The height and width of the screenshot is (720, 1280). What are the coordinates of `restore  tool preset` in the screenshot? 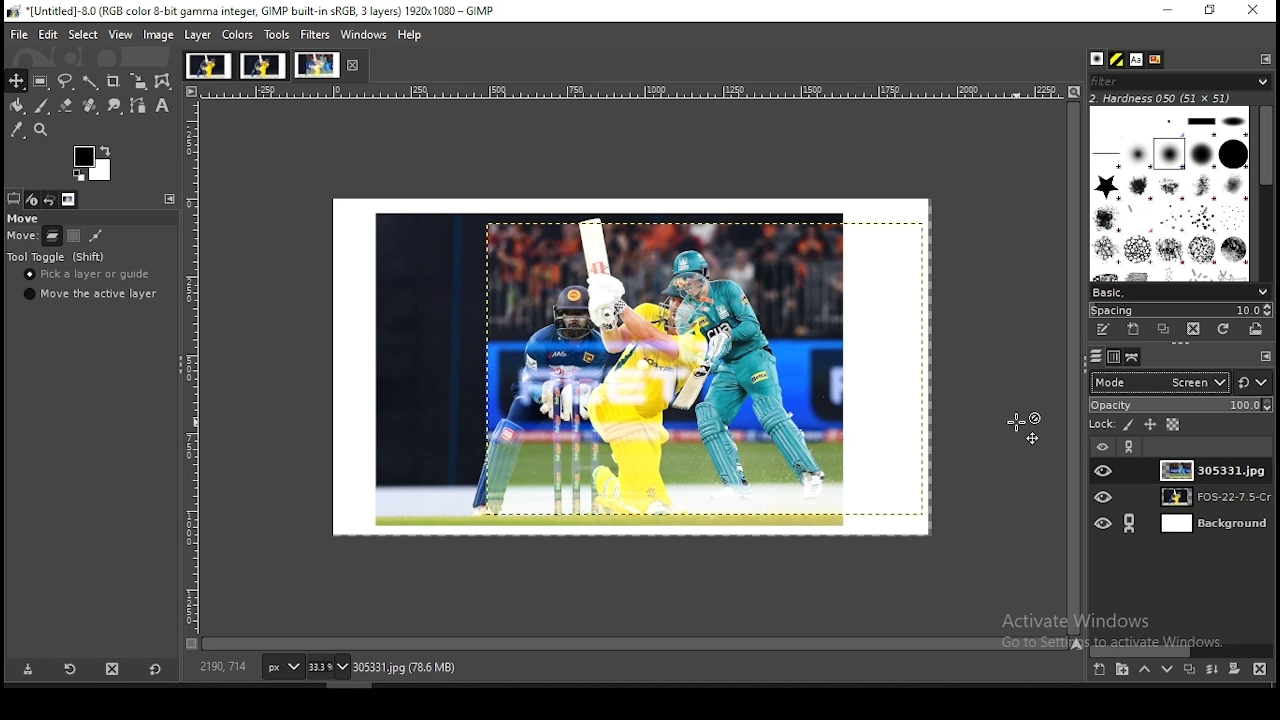 It's located at (67, 670).